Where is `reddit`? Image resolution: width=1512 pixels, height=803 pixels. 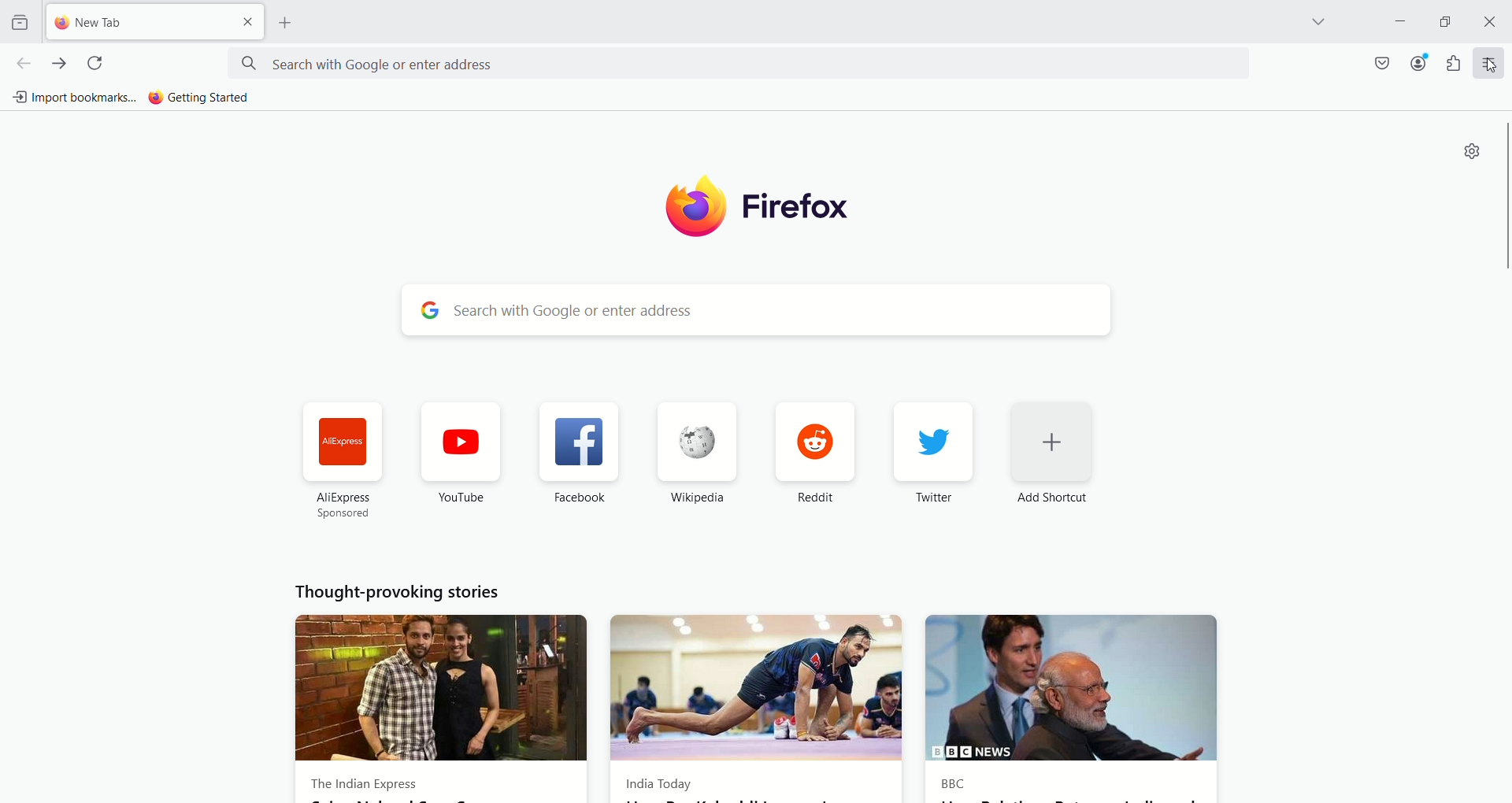 reddit is located at coordinates (821, 453).